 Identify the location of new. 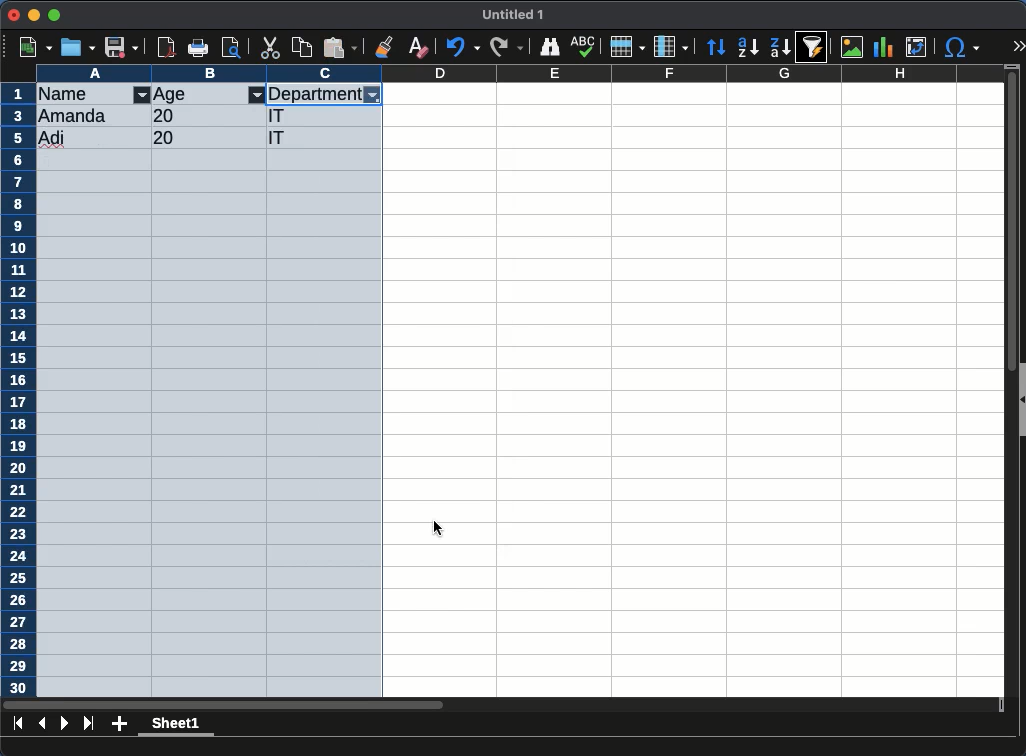
(34, 47).